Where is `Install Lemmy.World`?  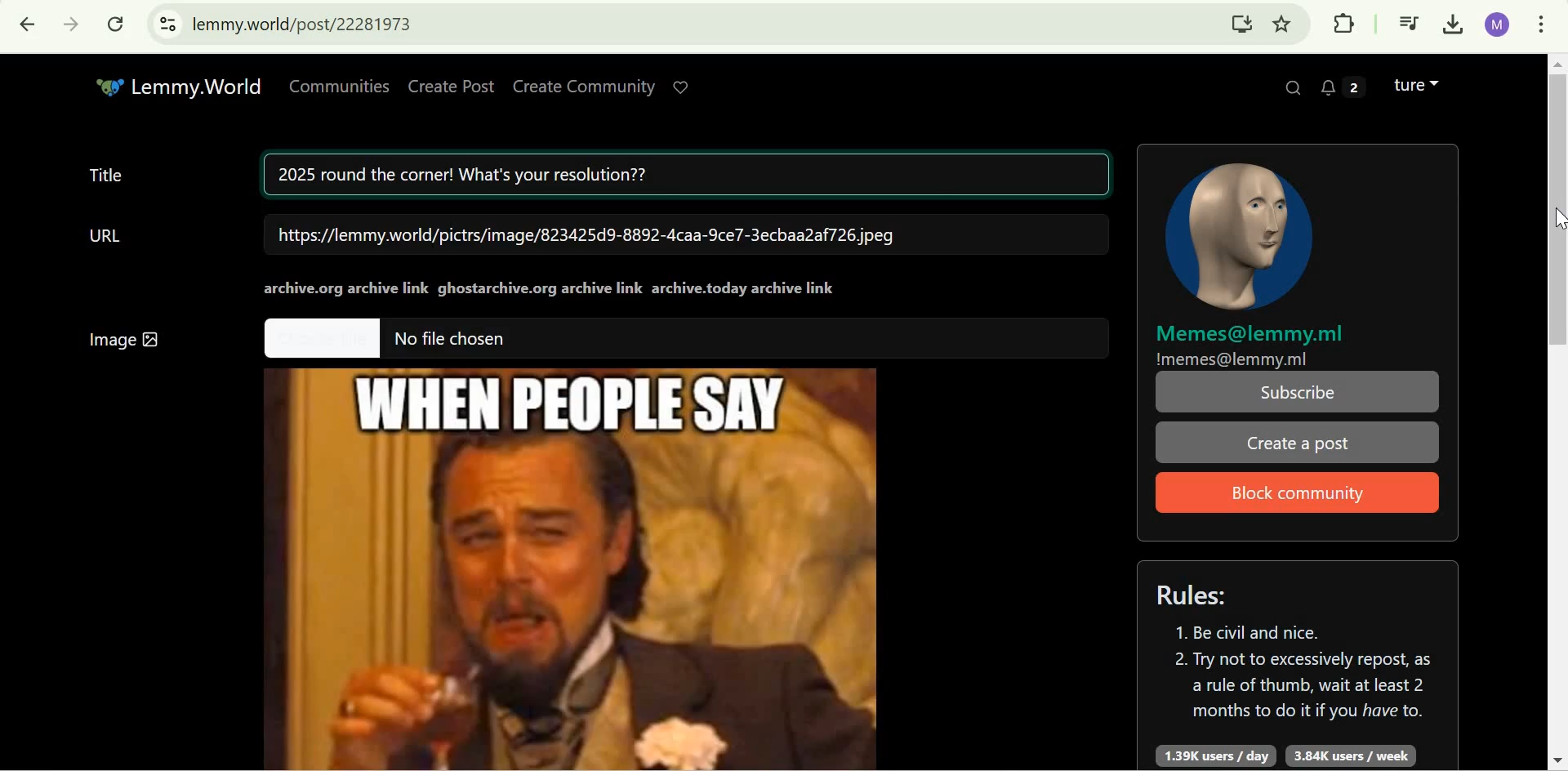
Install Lemmy.World is located at coordinates (1243, 23).